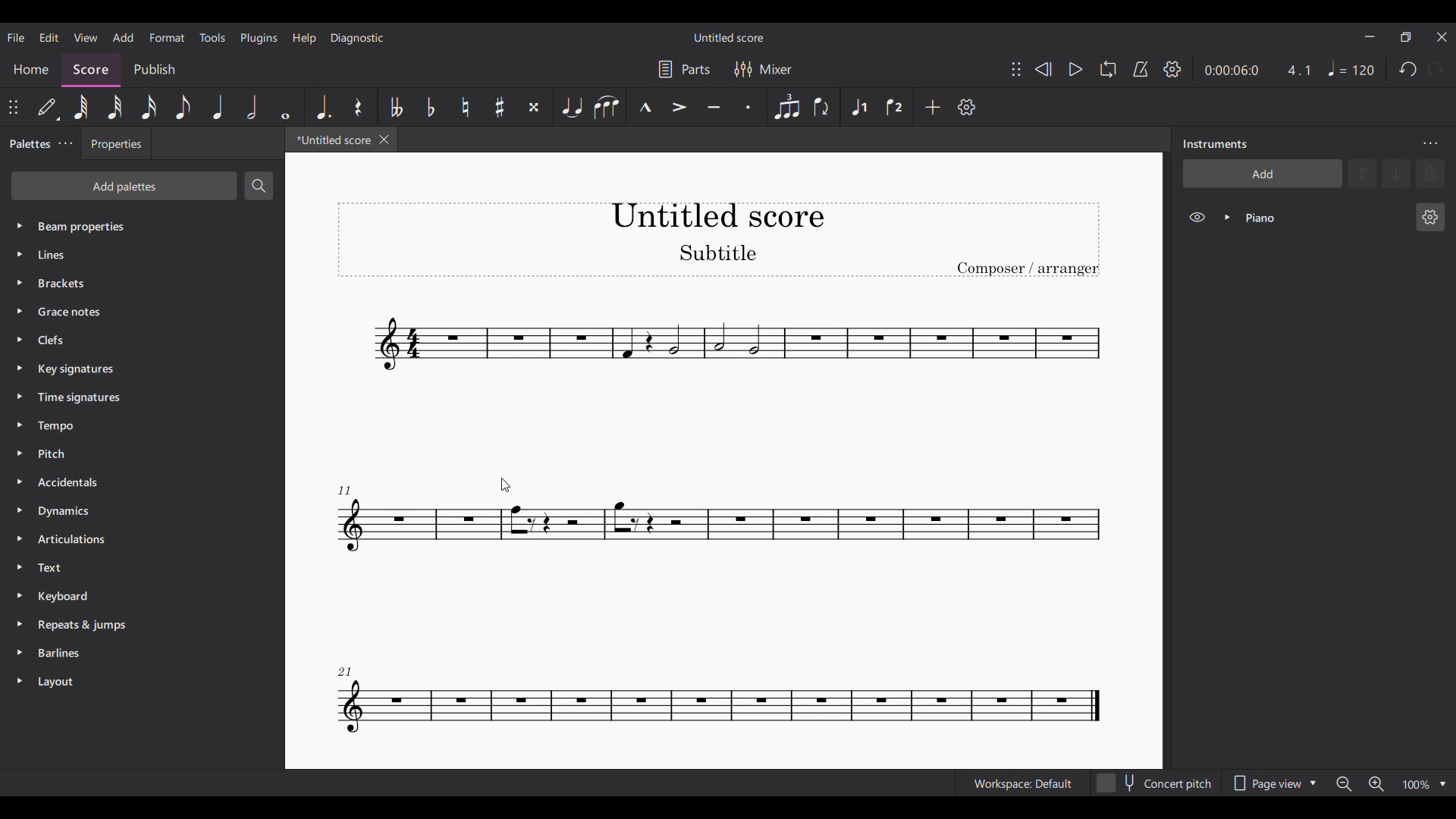  I want to click on Layout, so click(130, 682).